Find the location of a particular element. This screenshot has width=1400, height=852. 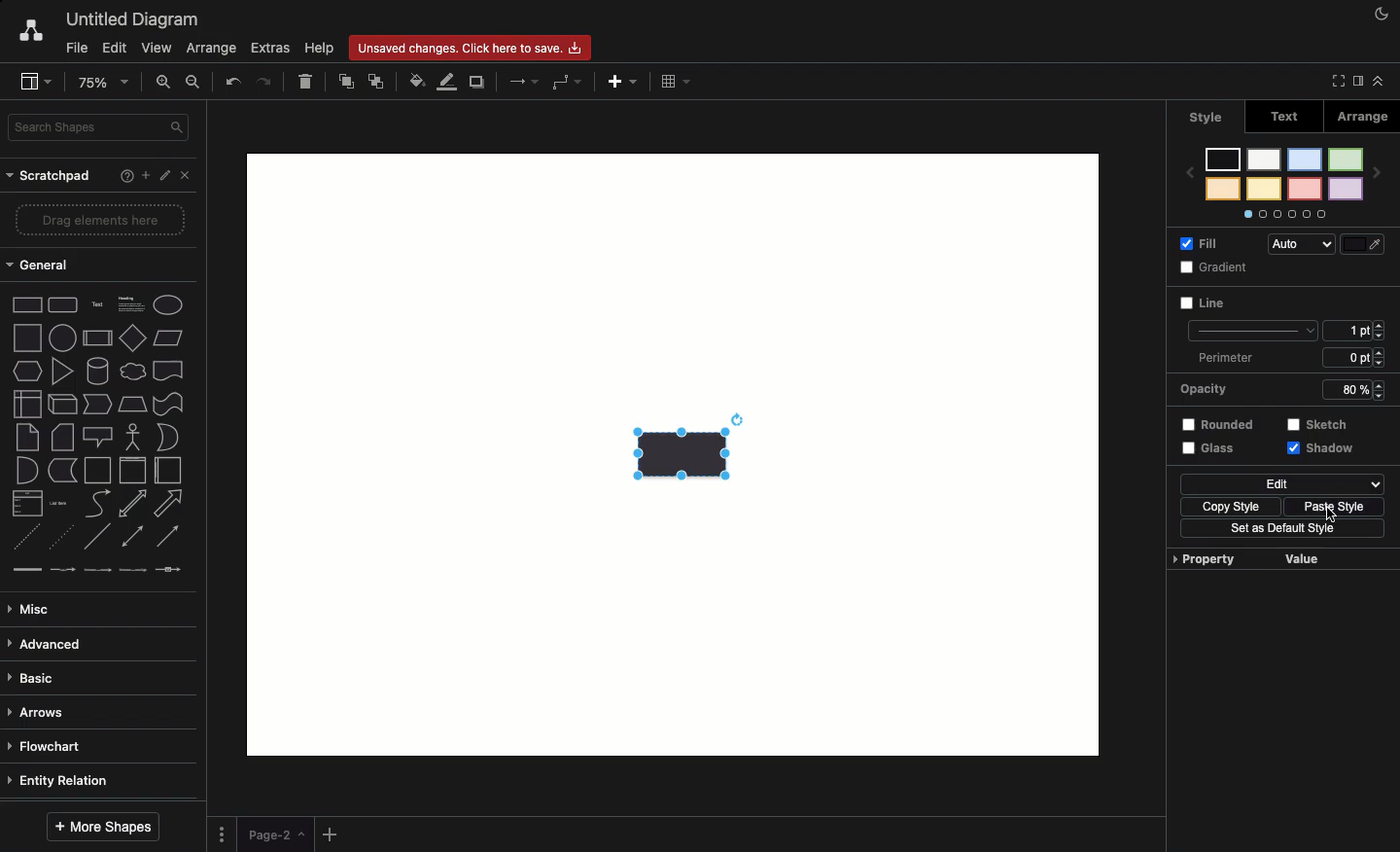

Add is located at coordinates (332, 834).